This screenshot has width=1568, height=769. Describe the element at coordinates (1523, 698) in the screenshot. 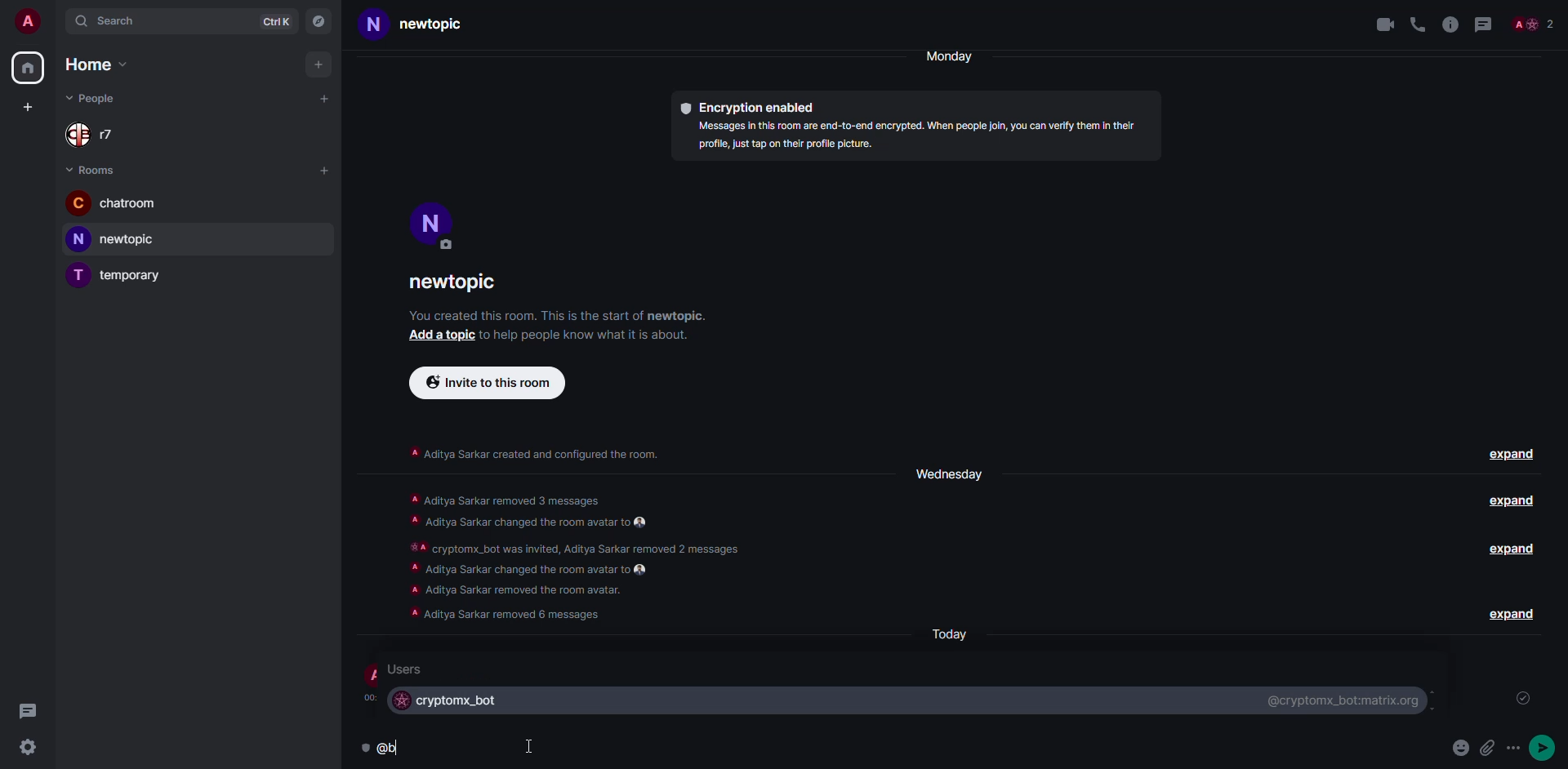

I see `sent` at that location.